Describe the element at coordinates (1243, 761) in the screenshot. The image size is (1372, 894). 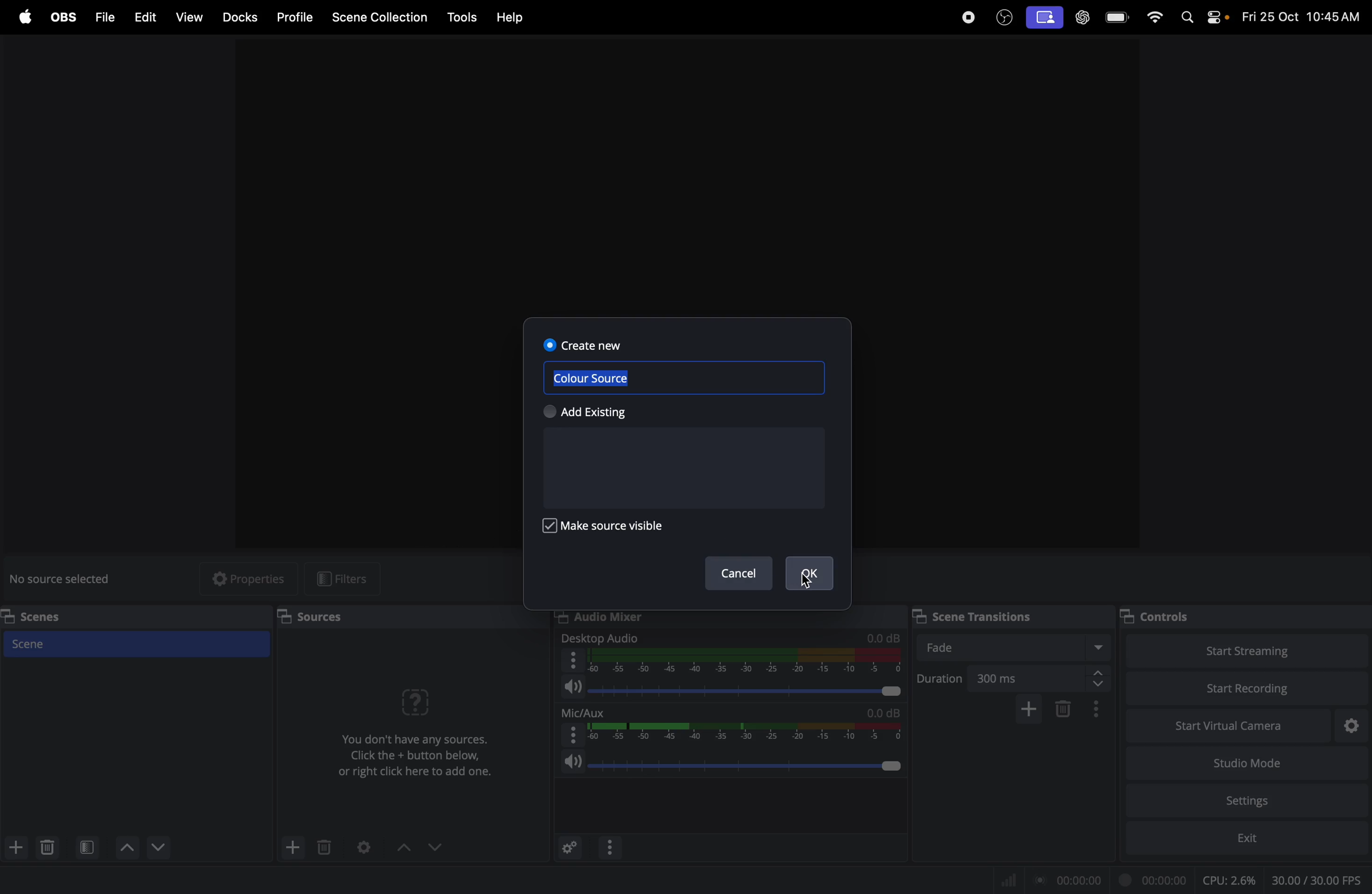
I see `studio mode` at that location.